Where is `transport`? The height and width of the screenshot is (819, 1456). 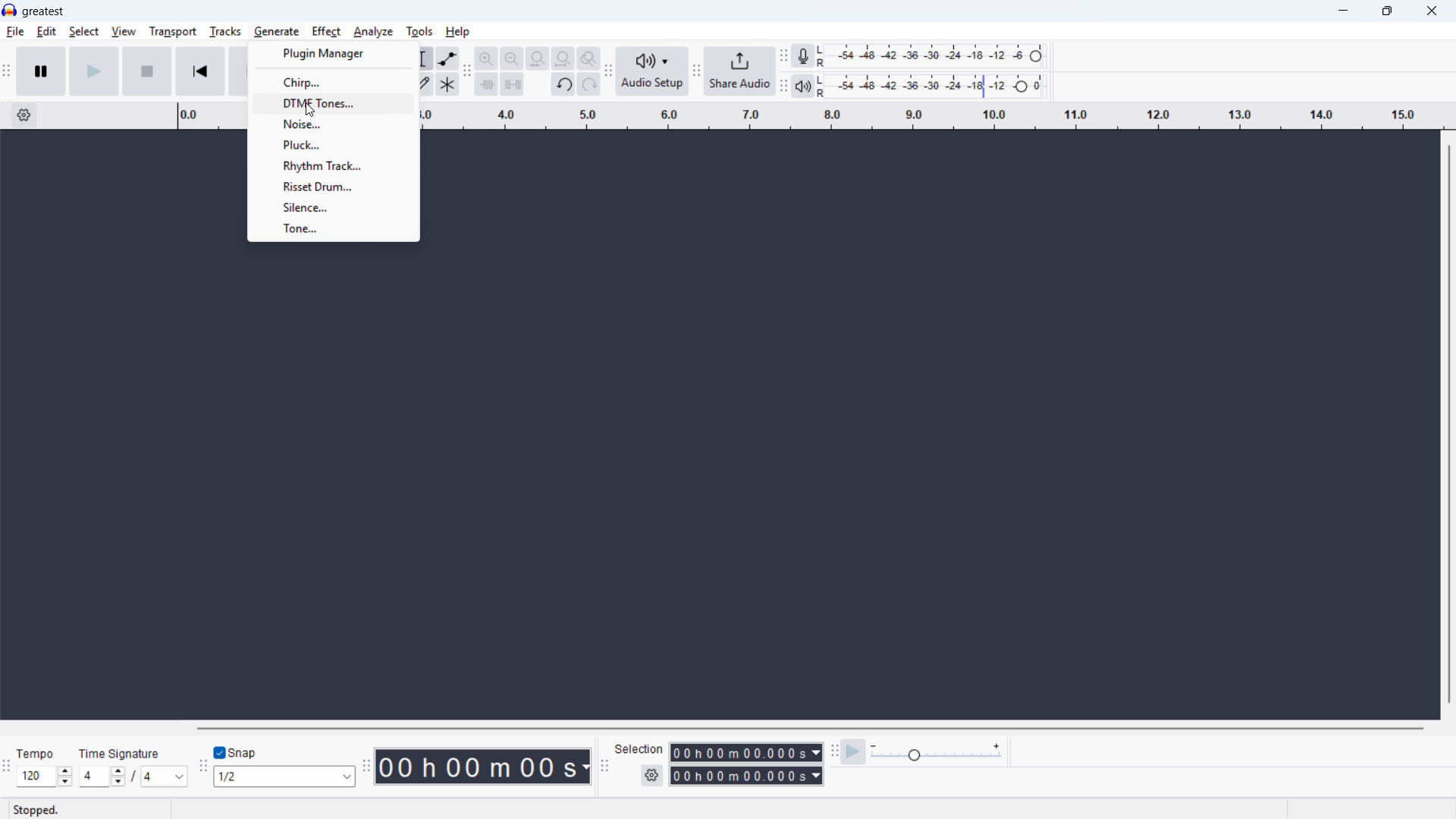 transport is located at coordinates (172, 31).